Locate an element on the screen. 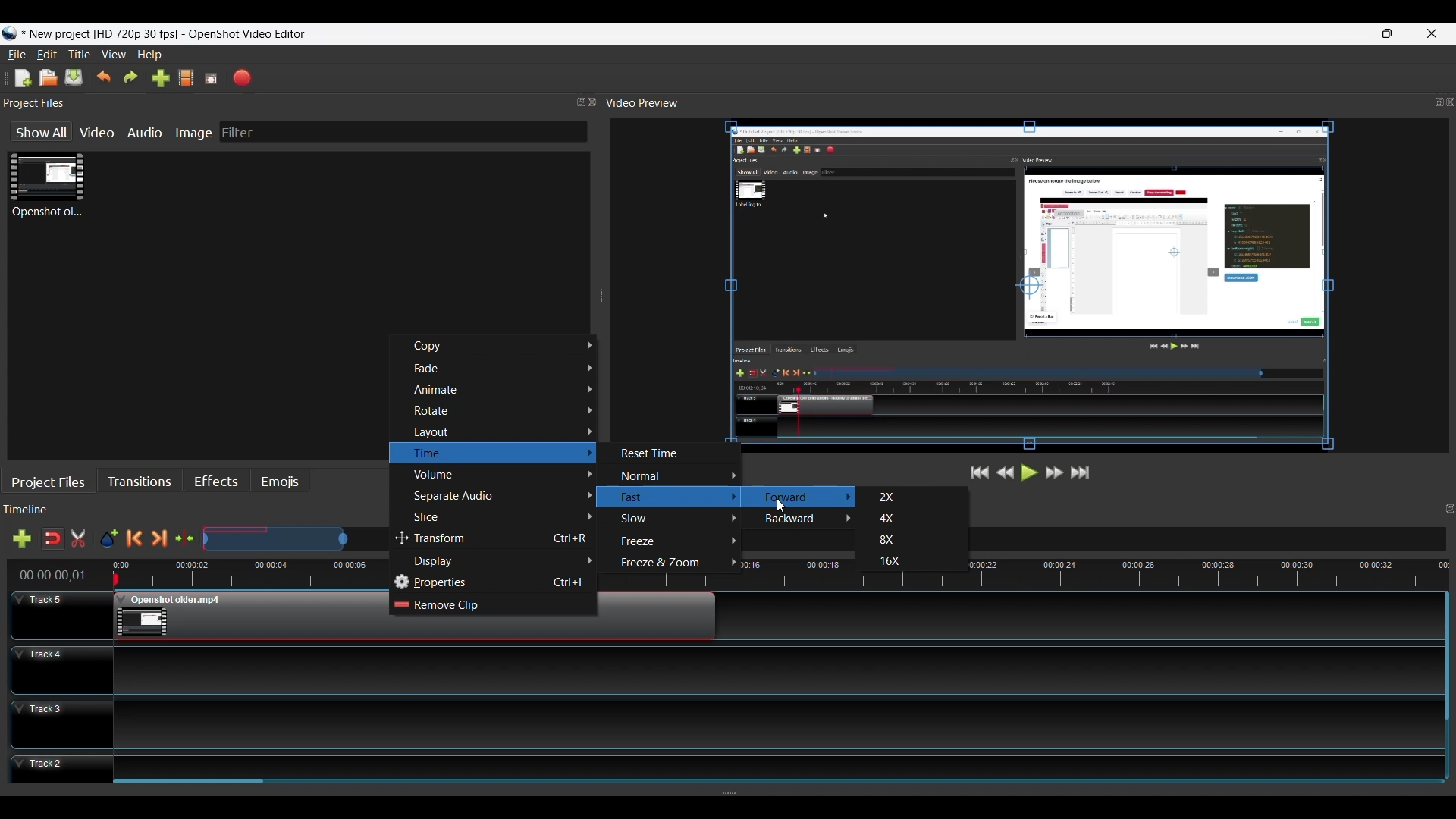 Image resolution: width=1456 pixels, height=819 pixels. Snap is located at coordinates (52, 539).